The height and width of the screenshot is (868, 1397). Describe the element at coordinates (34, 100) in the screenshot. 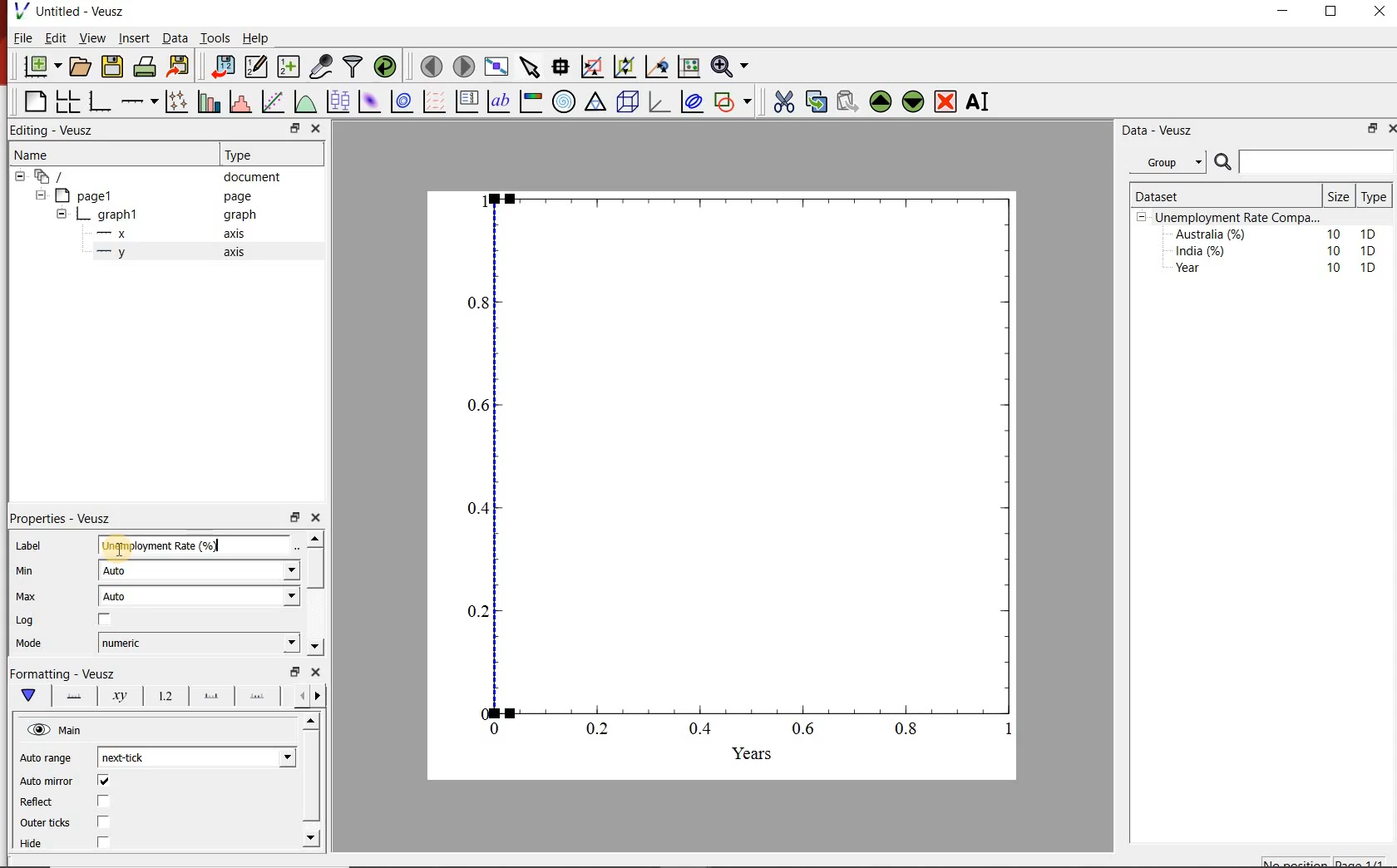

I see `blank page` at that location.